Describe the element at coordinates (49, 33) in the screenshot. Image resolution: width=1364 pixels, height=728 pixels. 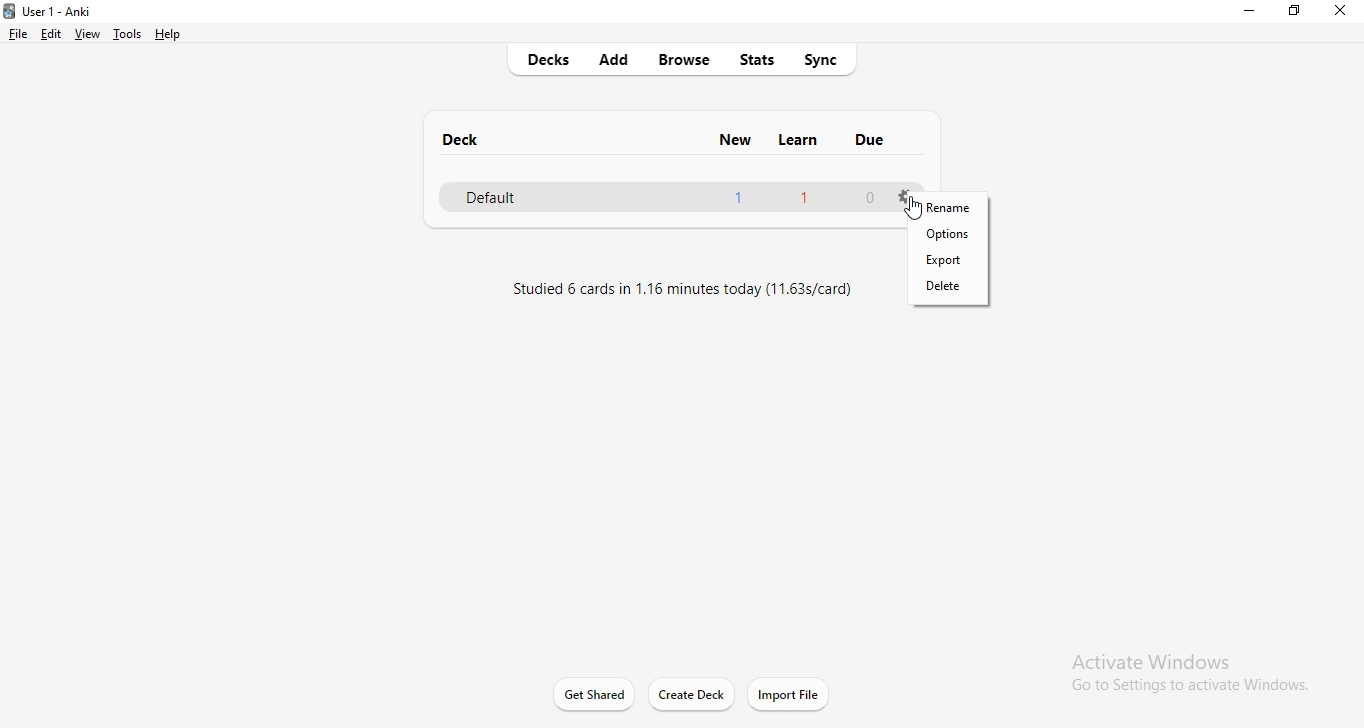
I see `edit` at that location.